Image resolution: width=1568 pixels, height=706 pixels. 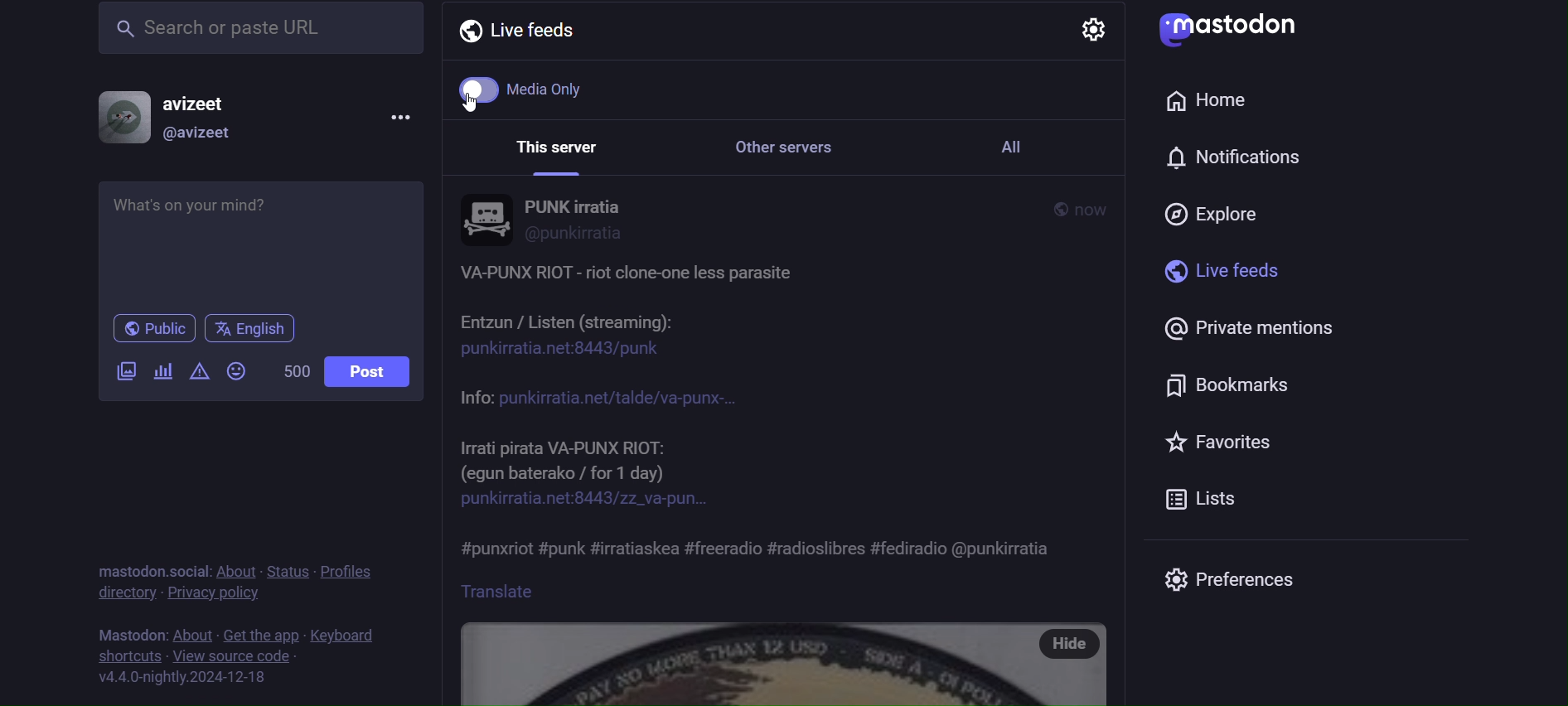 What do you see at coordinates (1094, 210) in the screenshot?
I see `now` at bounding box center [1094, 210].